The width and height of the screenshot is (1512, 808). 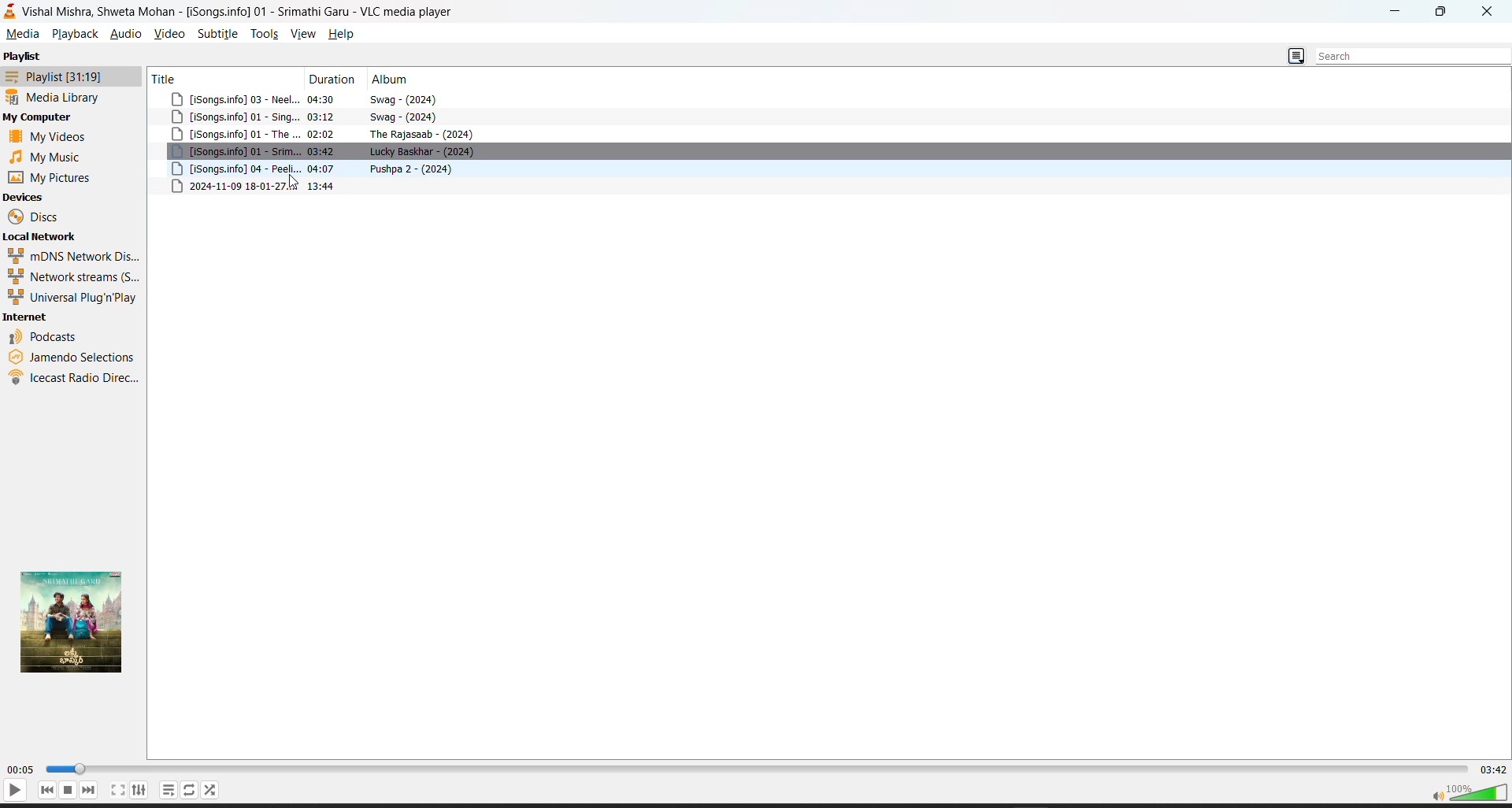 I want to click on change playlist view, so click(x=1297, y=55).